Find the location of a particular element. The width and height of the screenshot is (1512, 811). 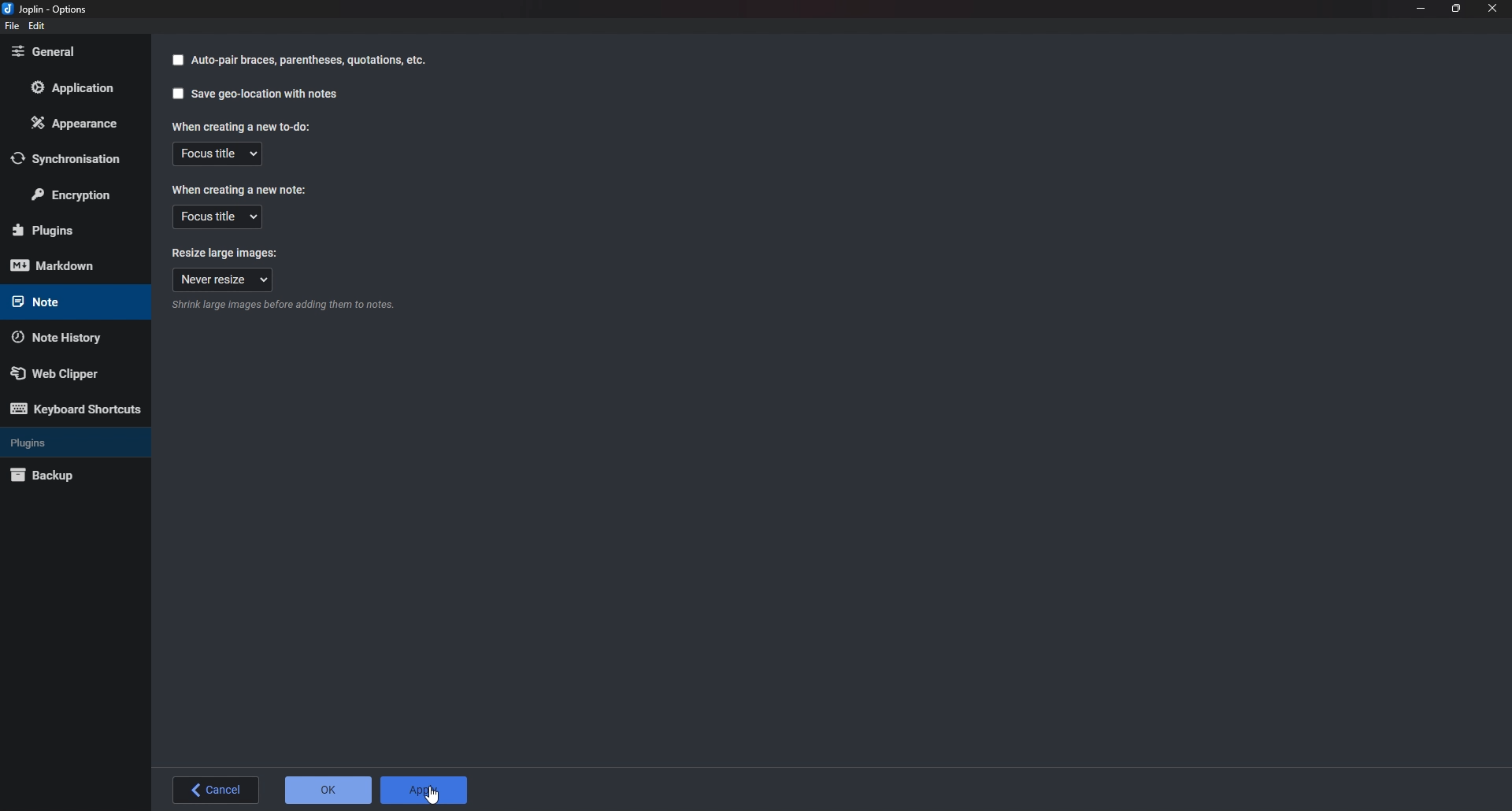

checkbox is located at coordinates (177, 94).